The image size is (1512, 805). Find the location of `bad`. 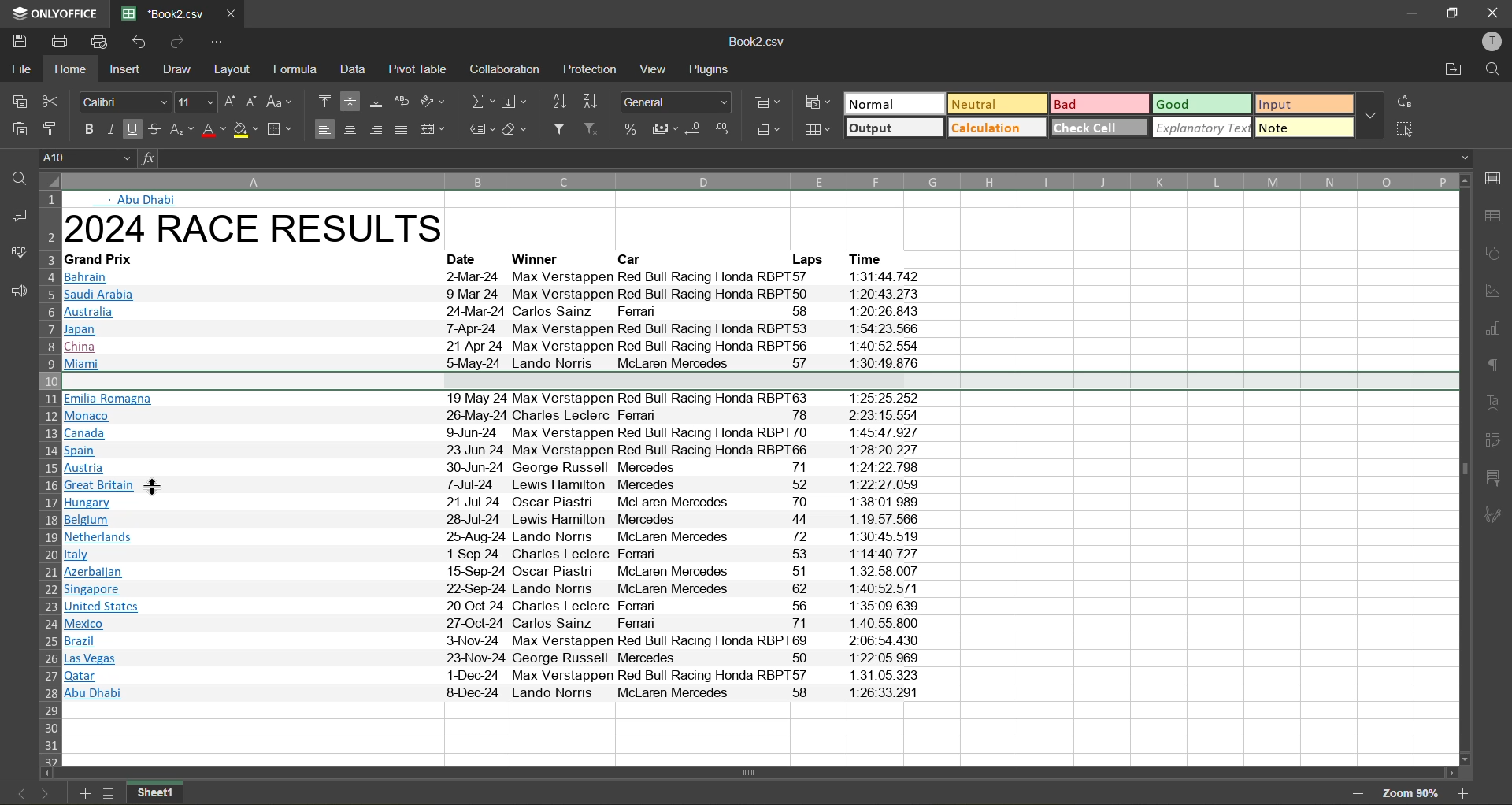

bad is located at coordinates (1099, 105).